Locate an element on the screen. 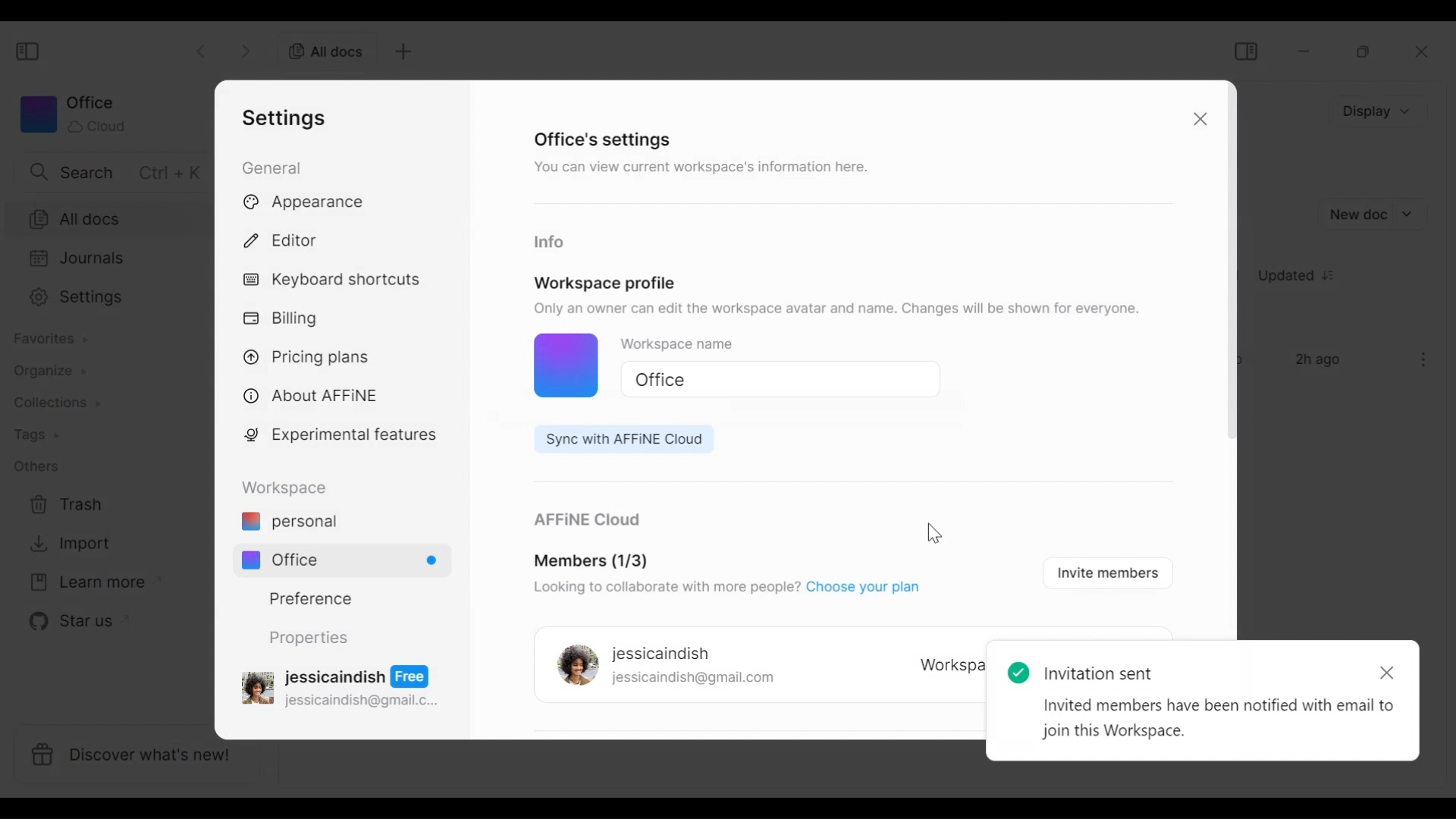 This screenshot has height=819, width=1456. Star us is located at coordinates (69, 621).